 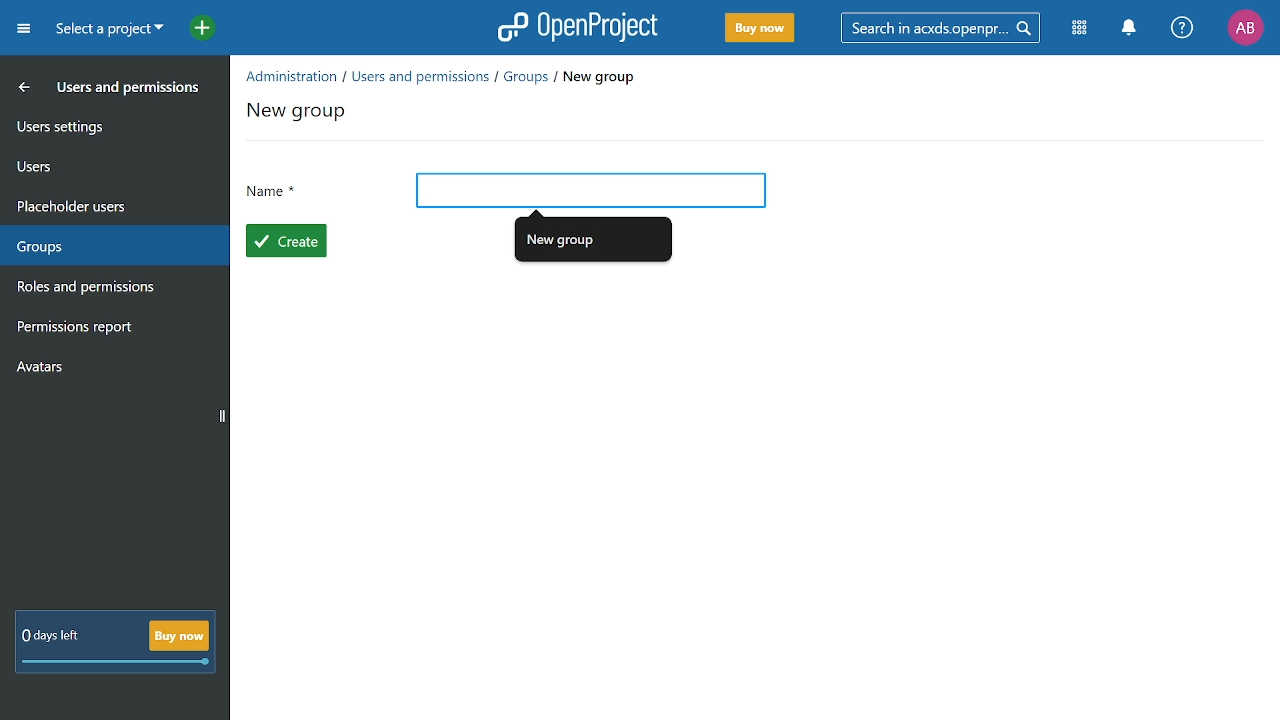 What do you see at coordinates (109, 30) in the screenshot?
I see `Current project` at bounding box center [109, 30].